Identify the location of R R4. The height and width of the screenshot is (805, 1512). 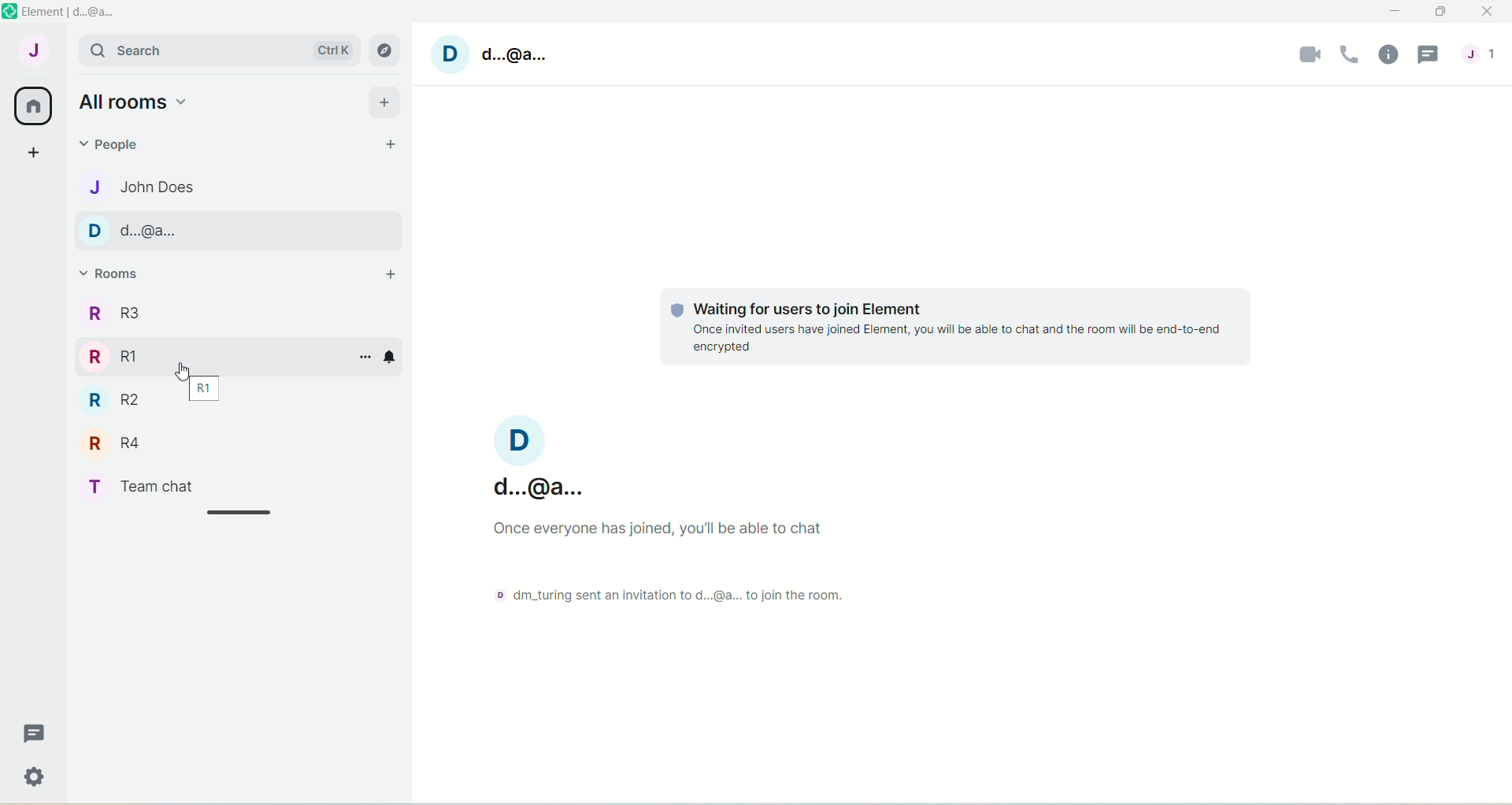
(119, 444).